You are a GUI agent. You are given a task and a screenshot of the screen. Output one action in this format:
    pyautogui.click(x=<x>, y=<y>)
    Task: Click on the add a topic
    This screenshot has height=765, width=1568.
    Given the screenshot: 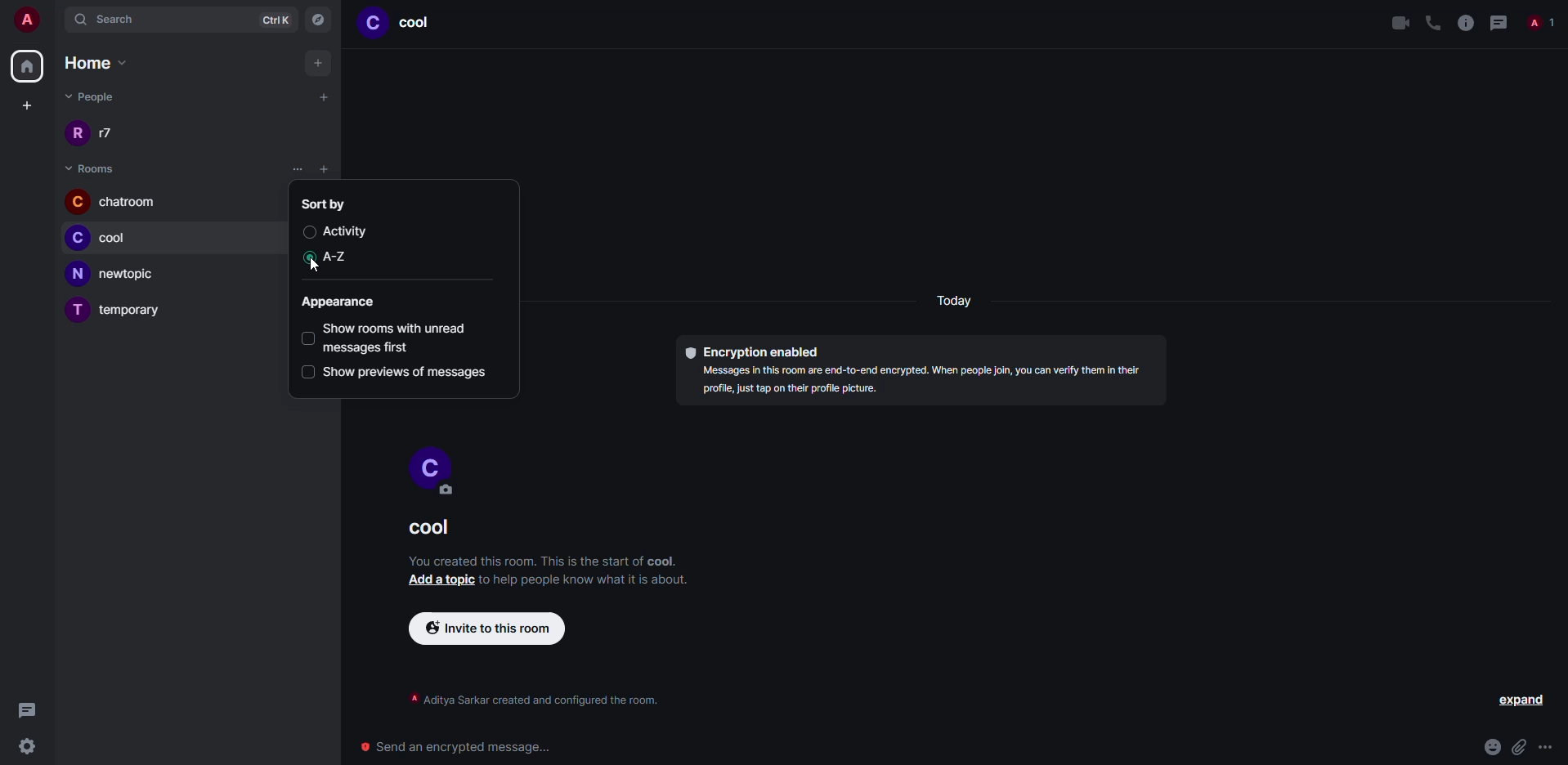 What is the action you would take?
    pyautogui.click(x=441, y=579)
    